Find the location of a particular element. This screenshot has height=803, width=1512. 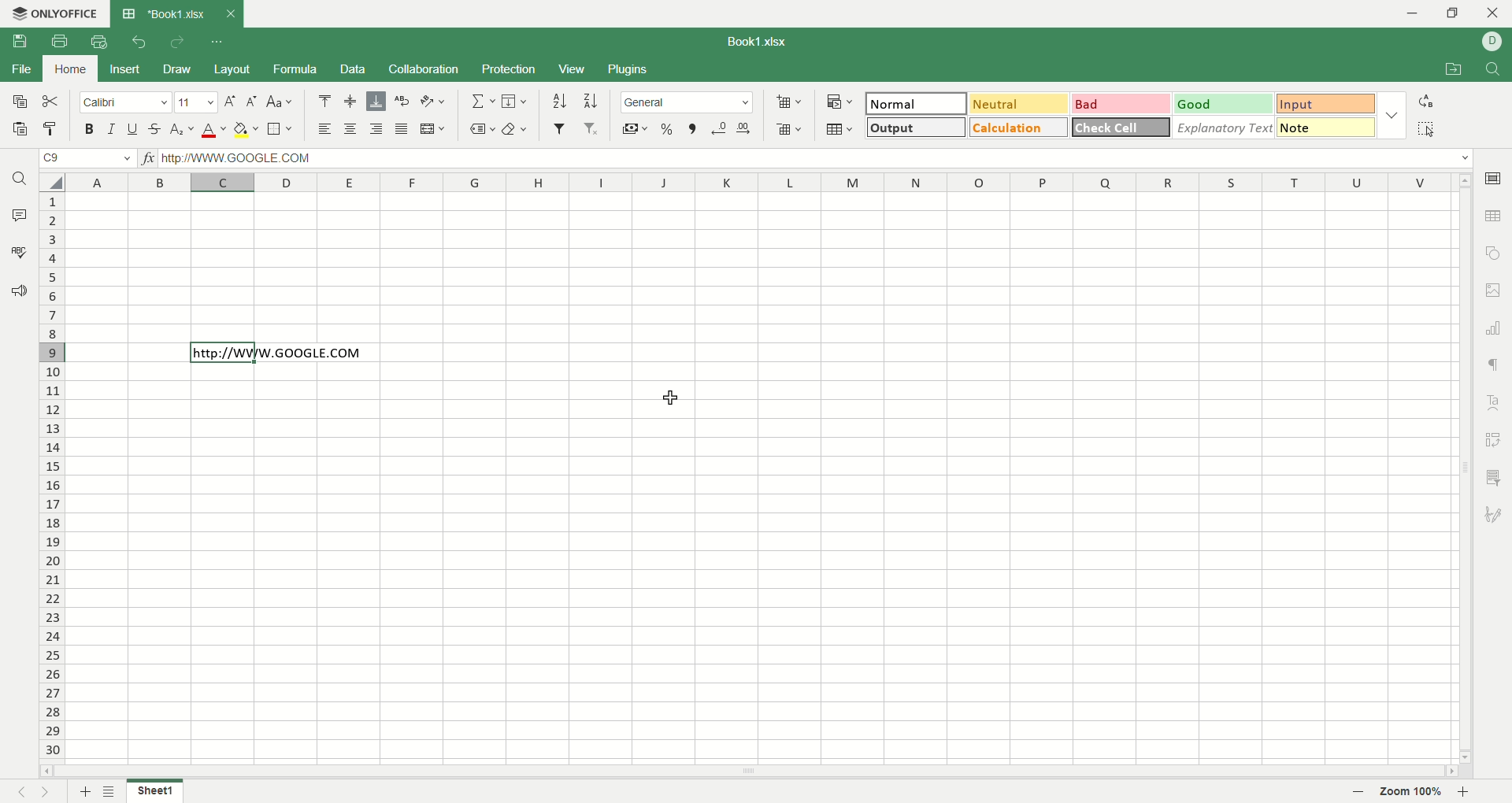

decrease decimal is located at coordinates (719, 128).